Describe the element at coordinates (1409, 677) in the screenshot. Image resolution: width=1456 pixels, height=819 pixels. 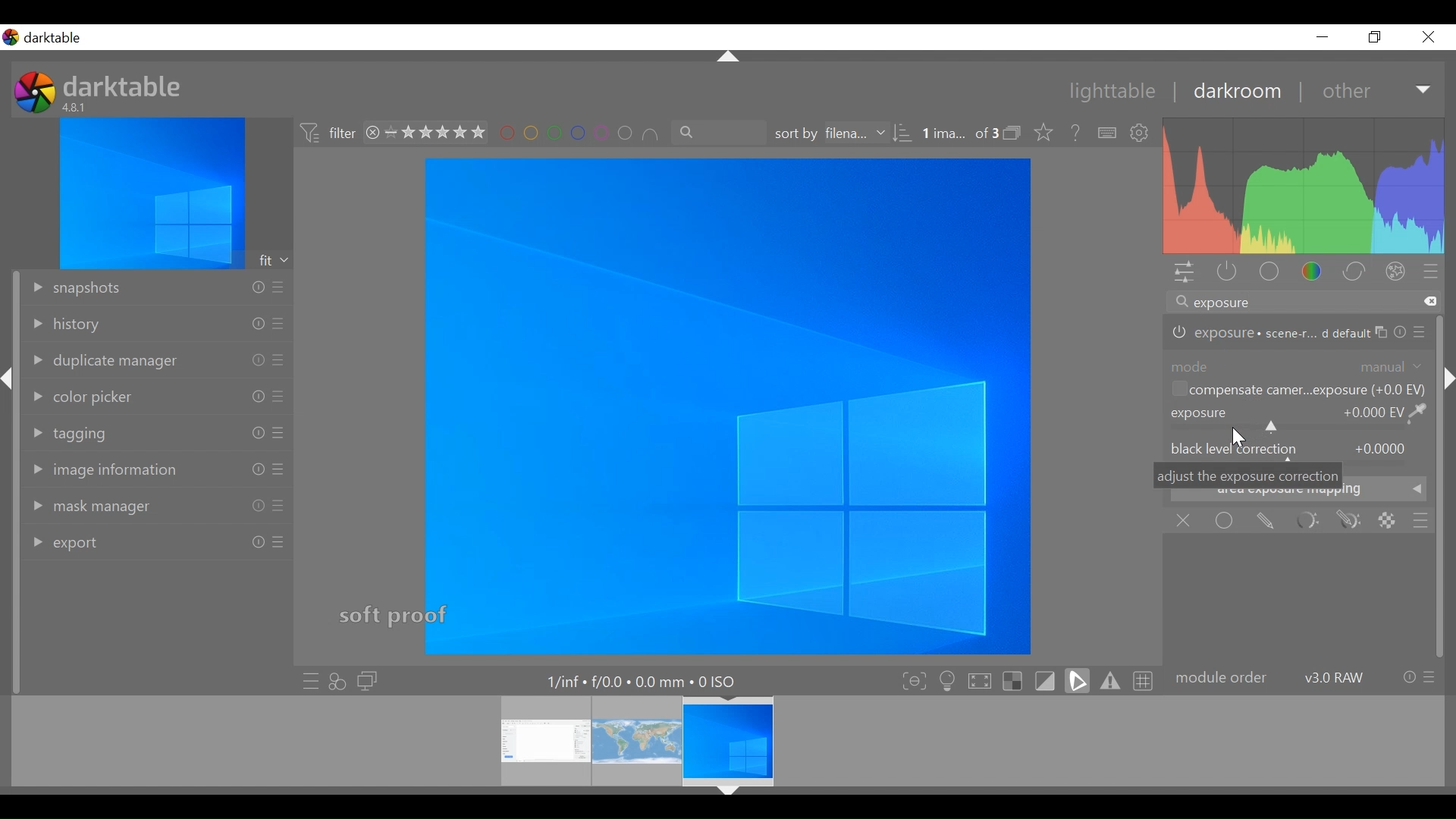
I see `info` at that location.